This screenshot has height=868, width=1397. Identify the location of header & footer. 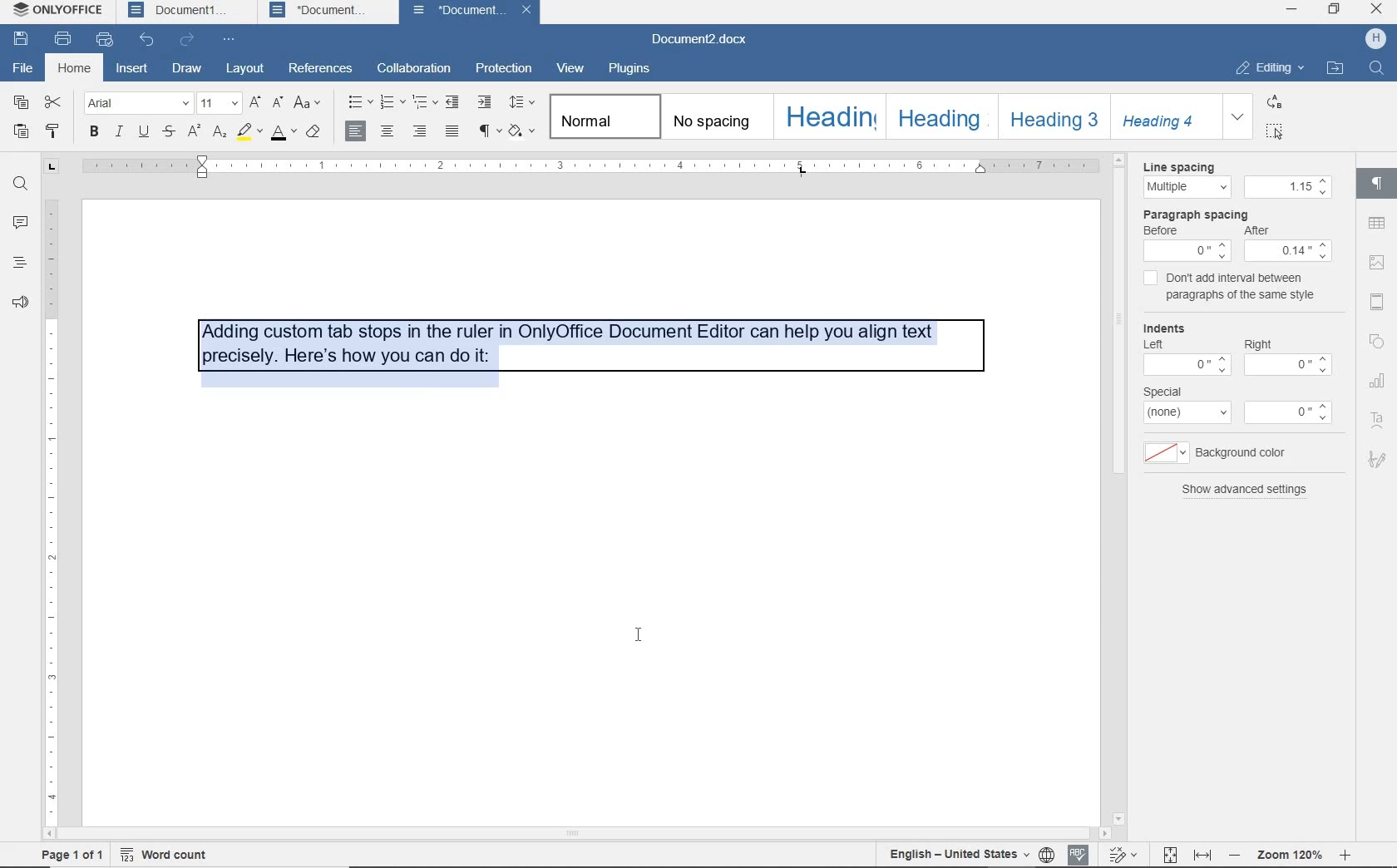
(1377, 302).